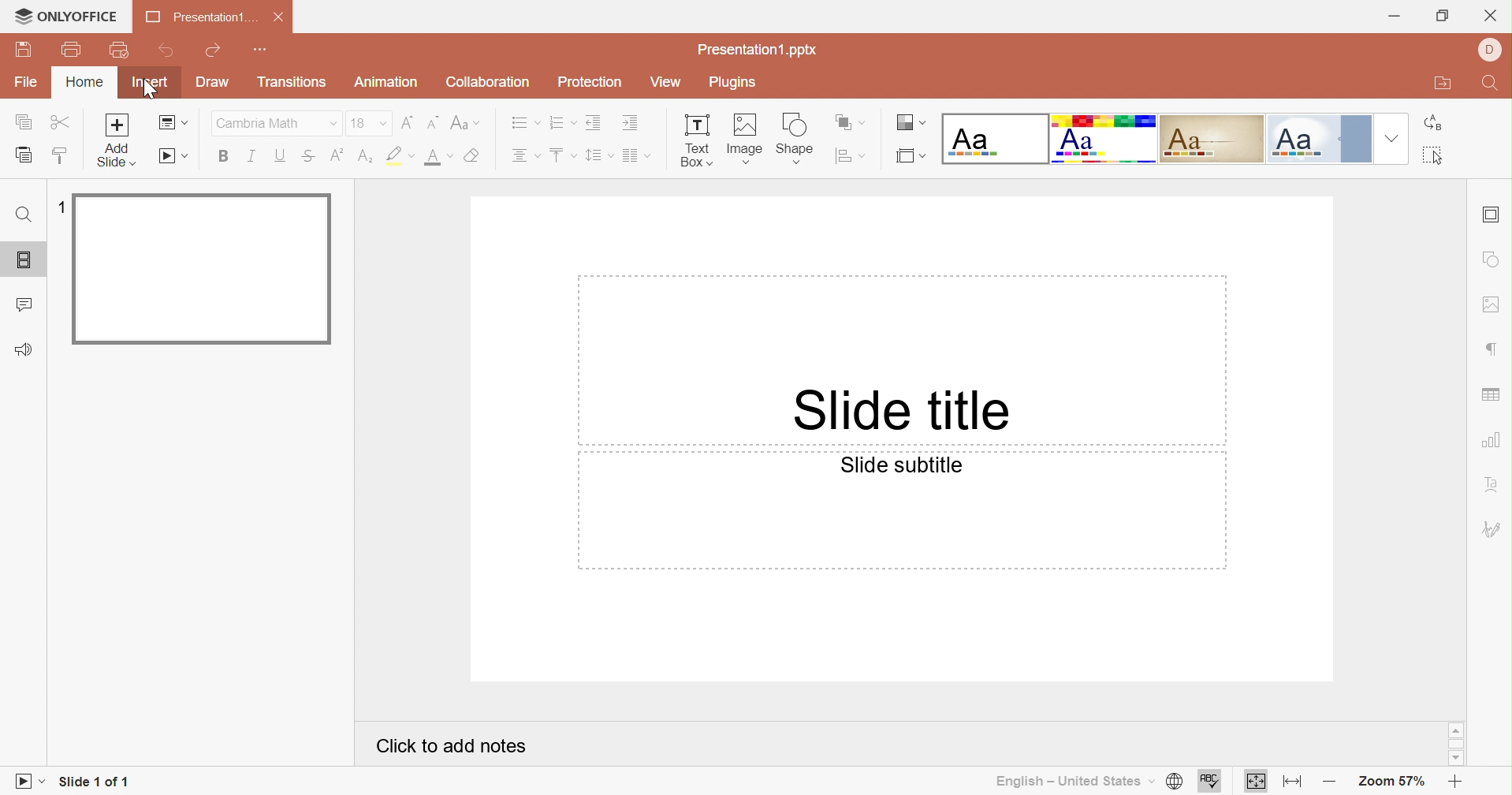 Image resolution: width=1512 pixels, height=795 pixels. Describe the element at coordinates (731, 84) in the screenshot. I see `Plugins` at that location.